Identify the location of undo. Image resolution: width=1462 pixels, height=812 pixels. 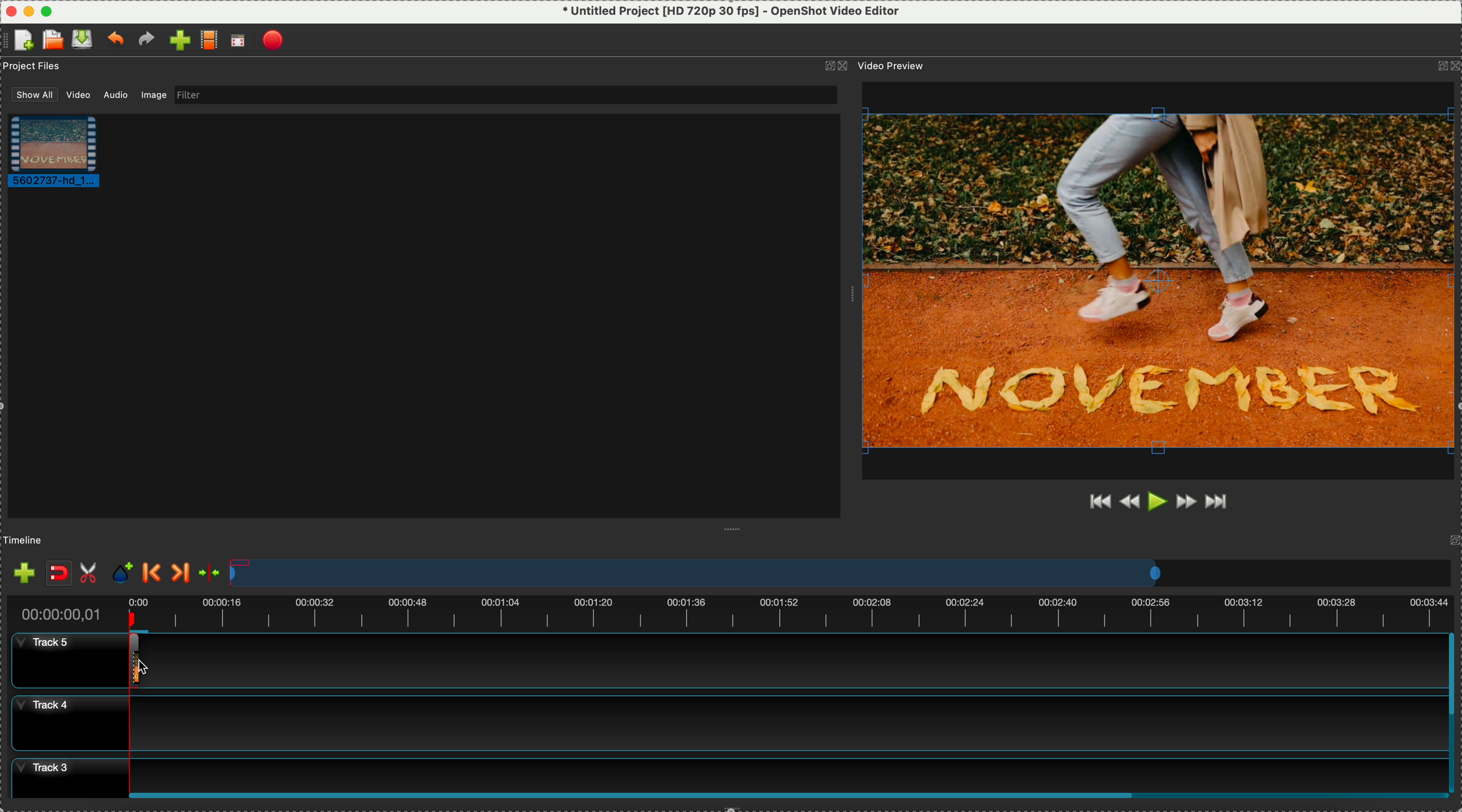
(115, 40).